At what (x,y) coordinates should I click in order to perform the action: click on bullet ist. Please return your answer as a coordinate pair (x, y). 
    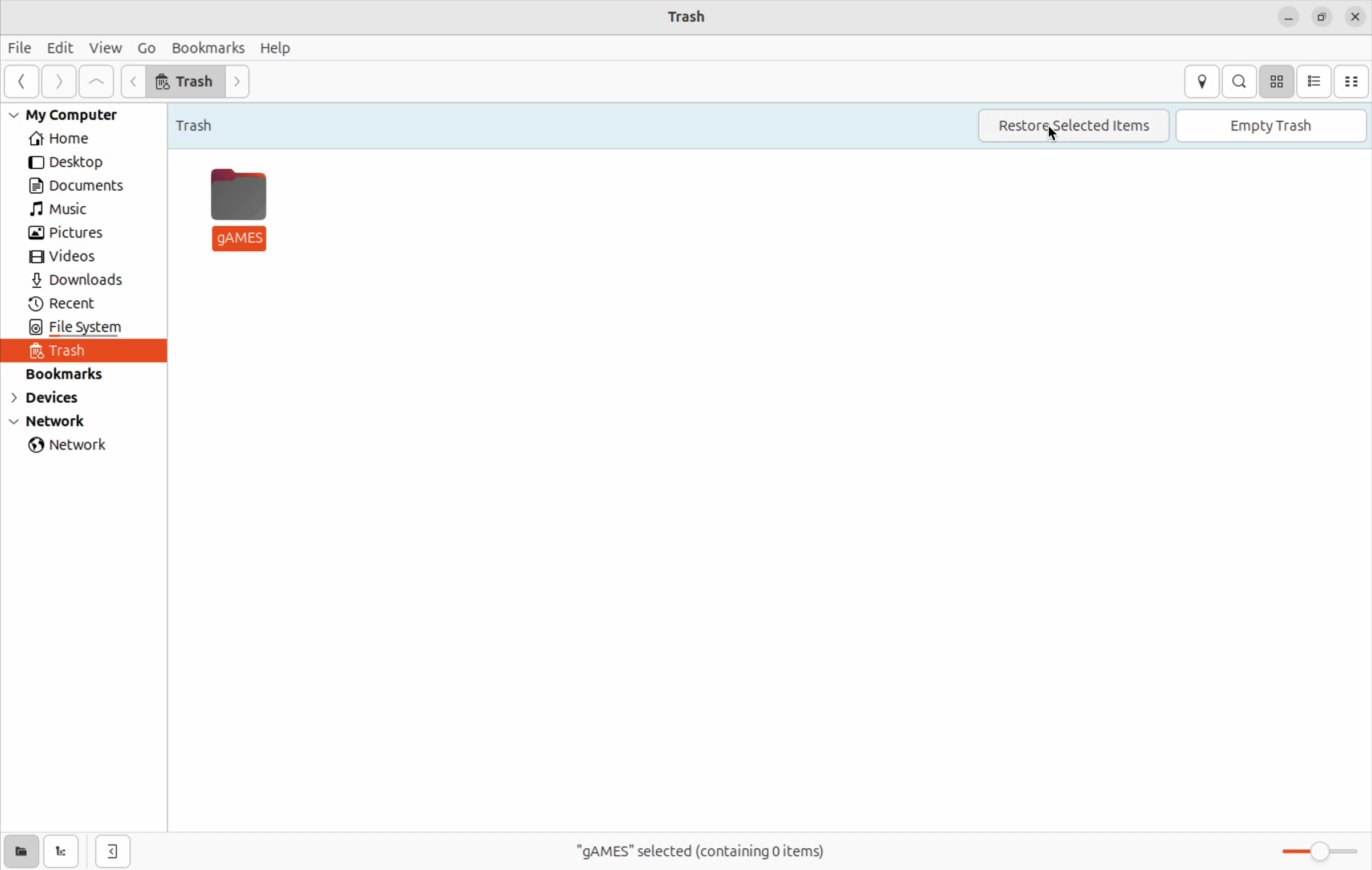
    Looking at the image, I should click on (1314, 81).